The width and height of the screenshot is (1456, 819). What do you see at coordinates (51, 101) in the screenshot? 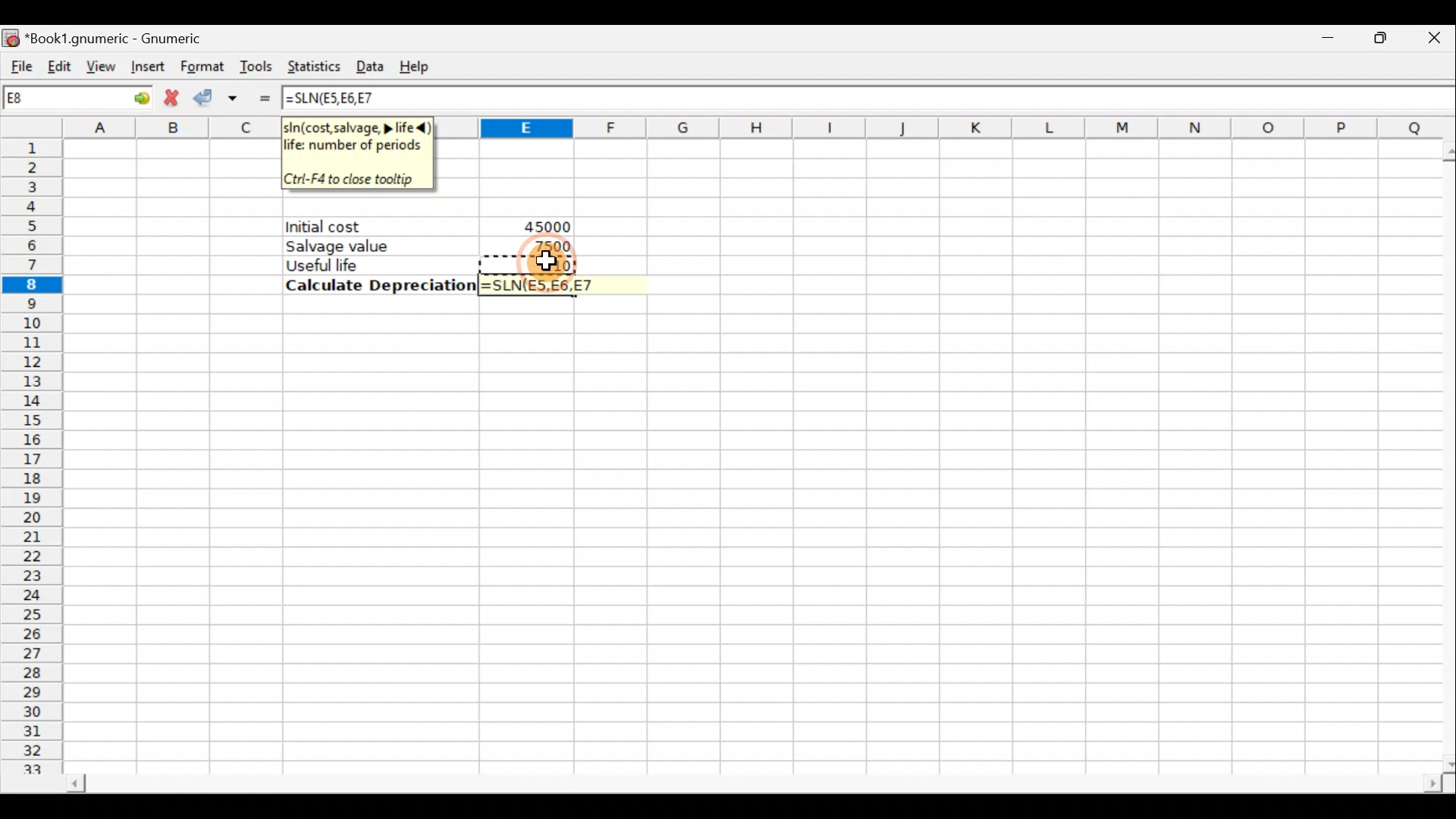
I see `Cell name E8` at bounding box center [51, 101].